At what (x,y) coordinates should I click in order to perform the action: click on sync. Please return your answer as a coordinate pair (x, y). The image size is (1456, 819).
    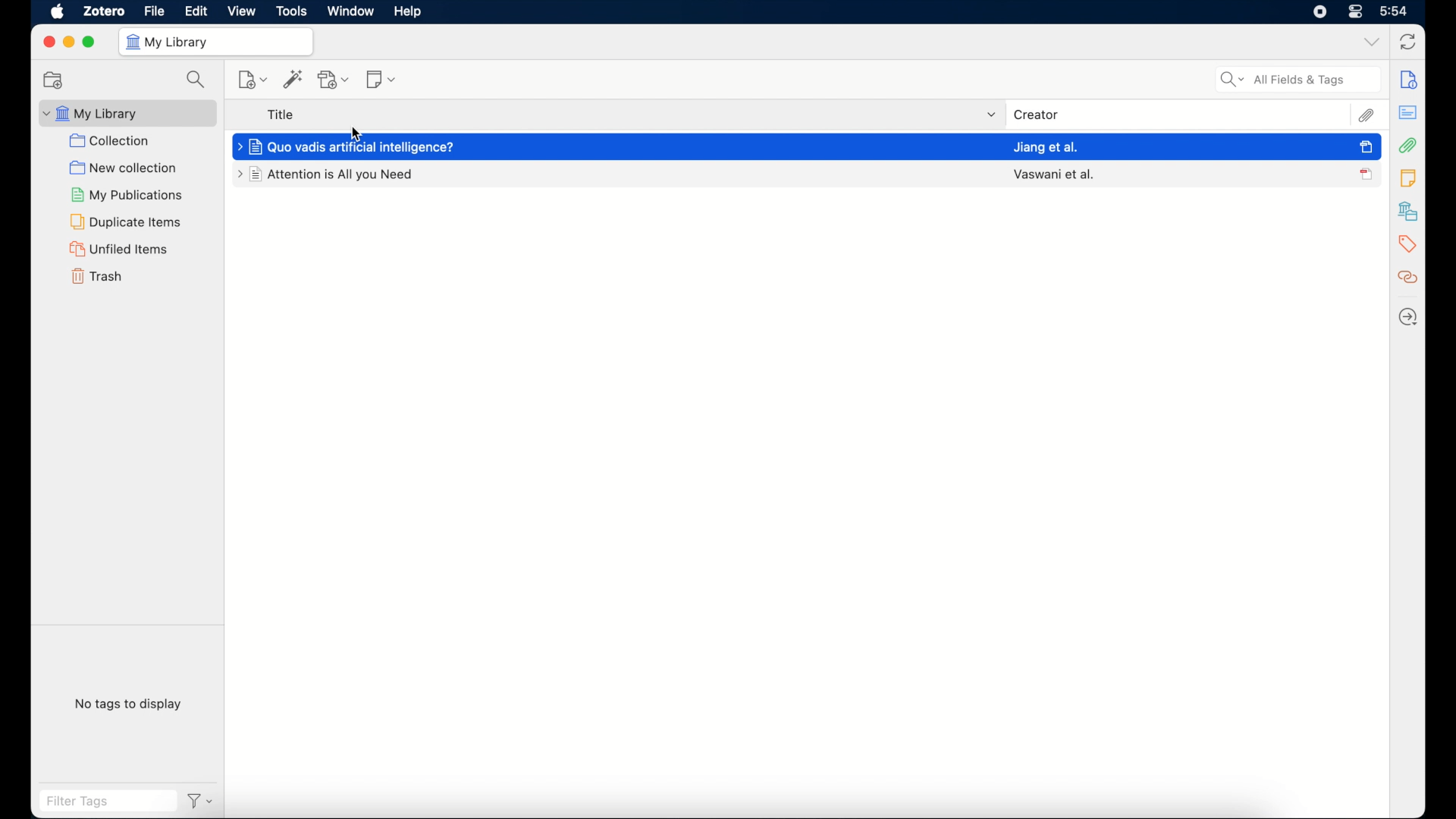
    Looking at the image, I should click on (1407, 41).